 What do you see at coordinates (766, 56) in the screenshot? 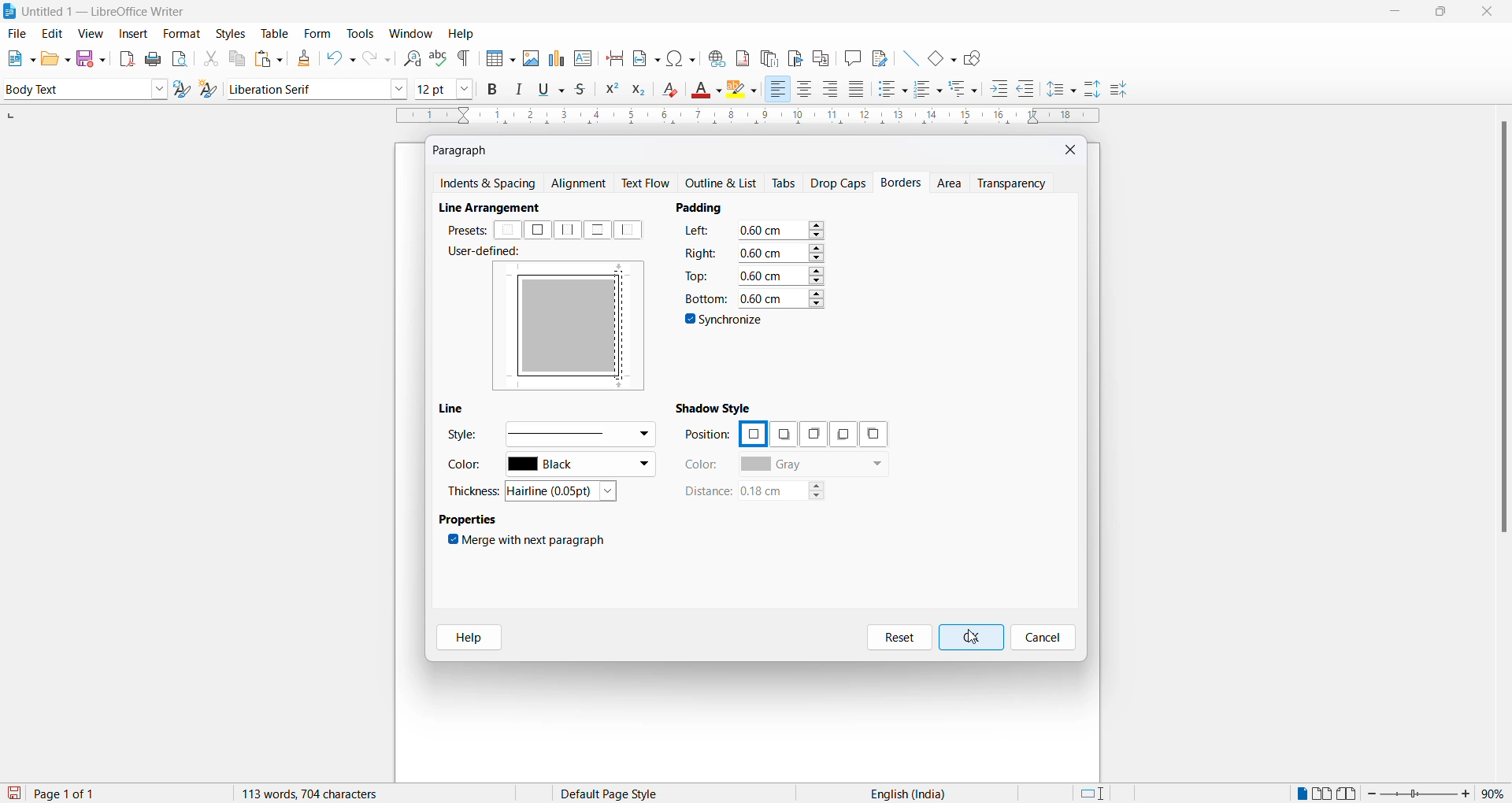
I see `insert endnote` at bounding box center [766, 56].